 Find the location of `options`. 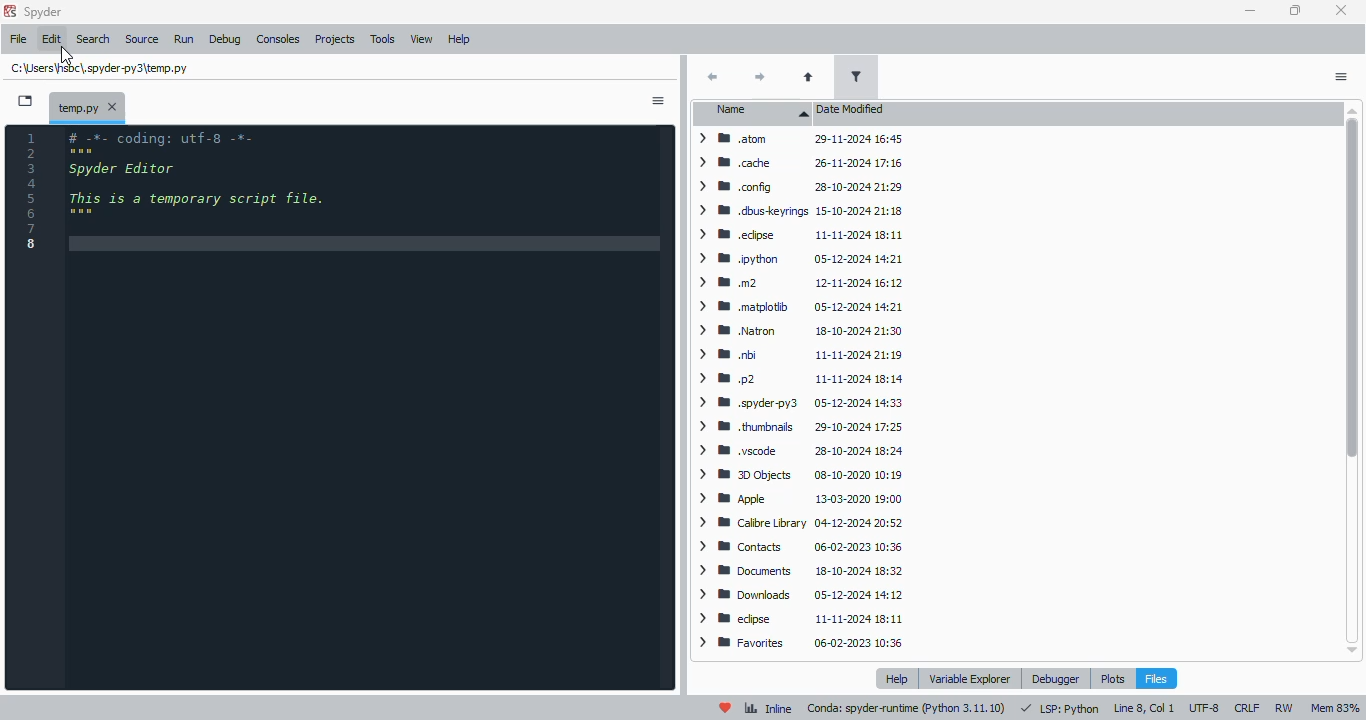

options is located at coordinates (1341, 77).